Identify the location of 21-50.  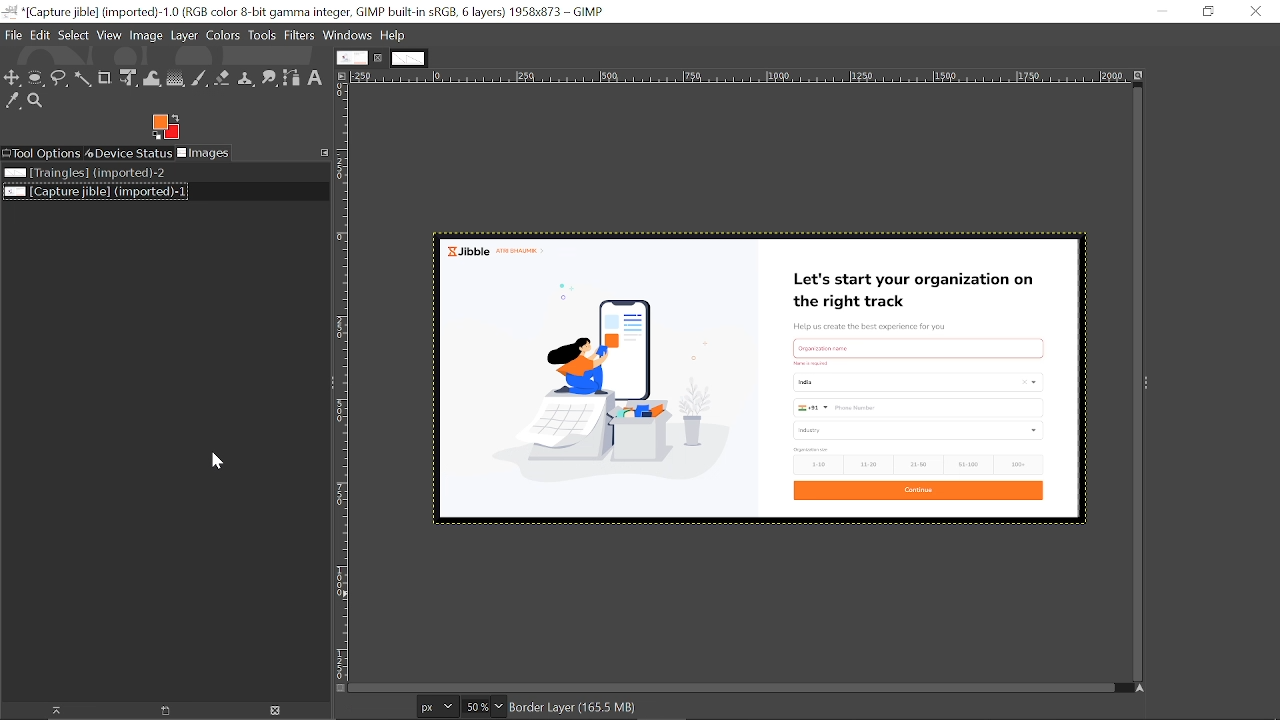
(919, 463).